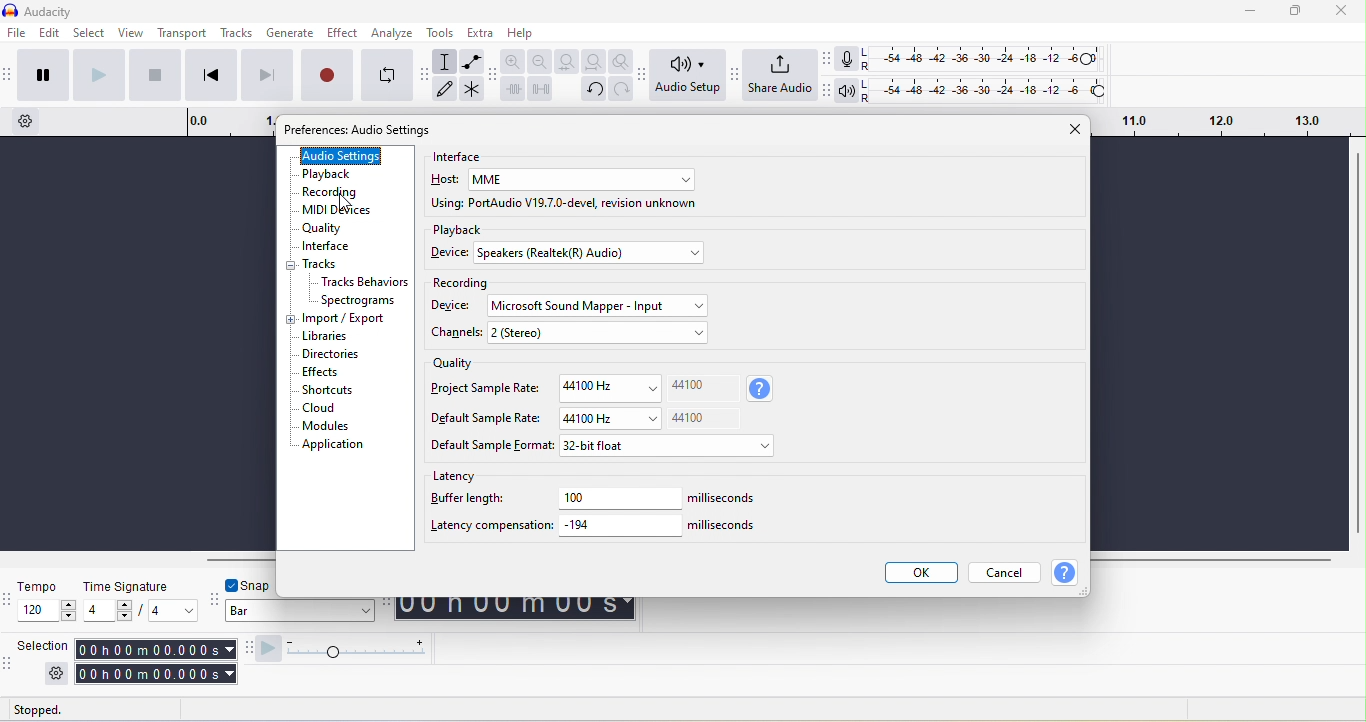  What do you see at coordinates (287, 34) in the screenshot?
I see `generate` at bounding box center [287, 34].